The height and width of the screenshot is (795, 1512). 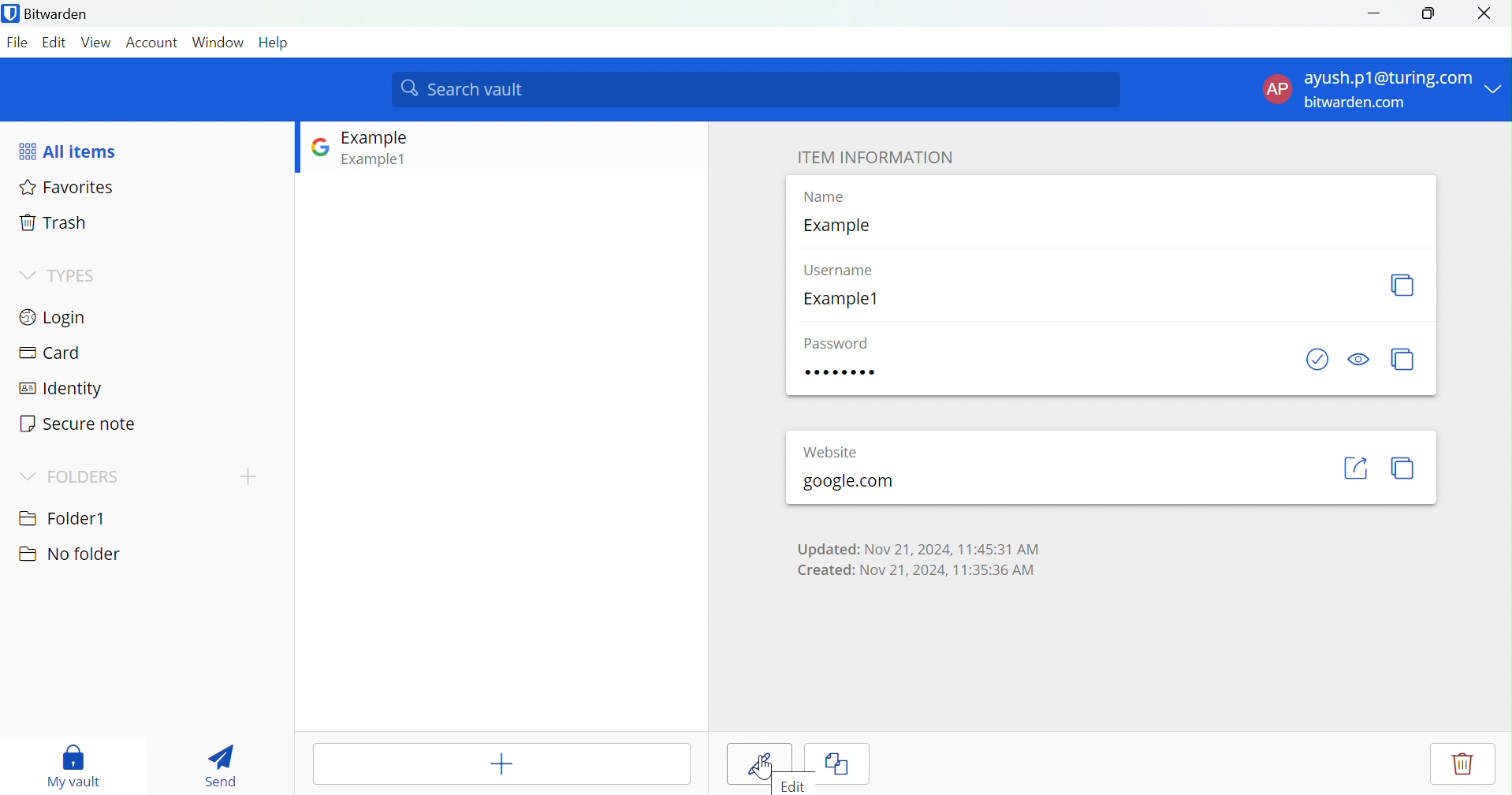 What do you see at coordinates (20, 43) in the screenshot?
I see `File` at bounding box center [20, 43].